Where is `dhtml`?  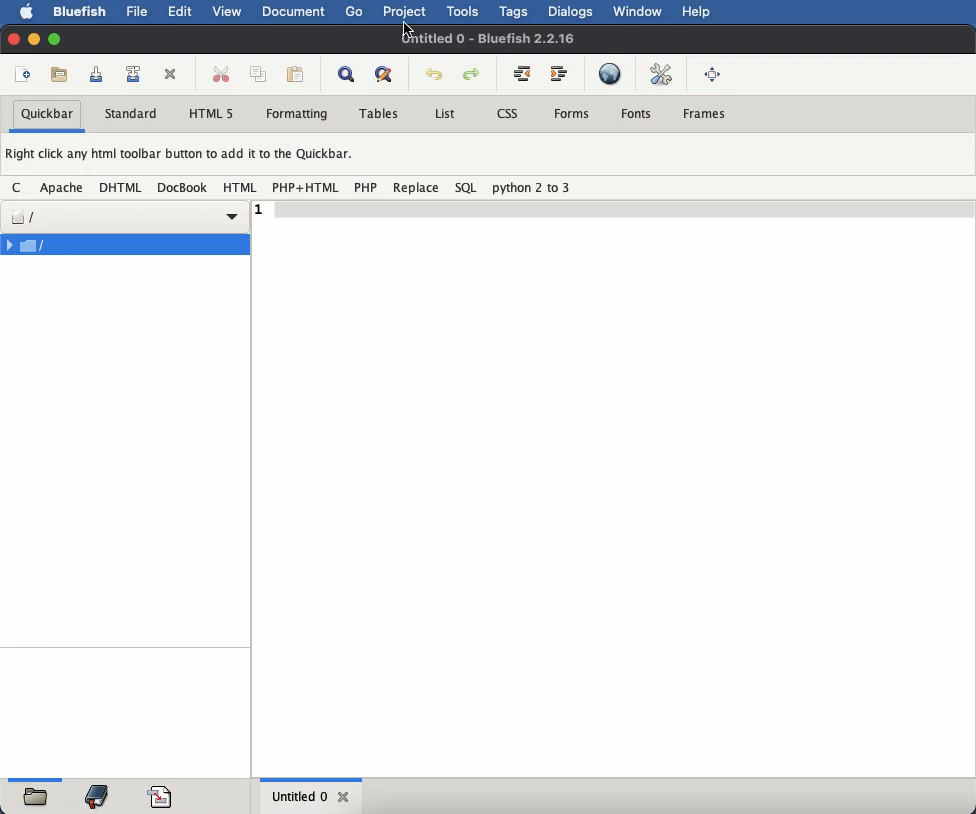 dhtml is located at coordinates (123, 188).